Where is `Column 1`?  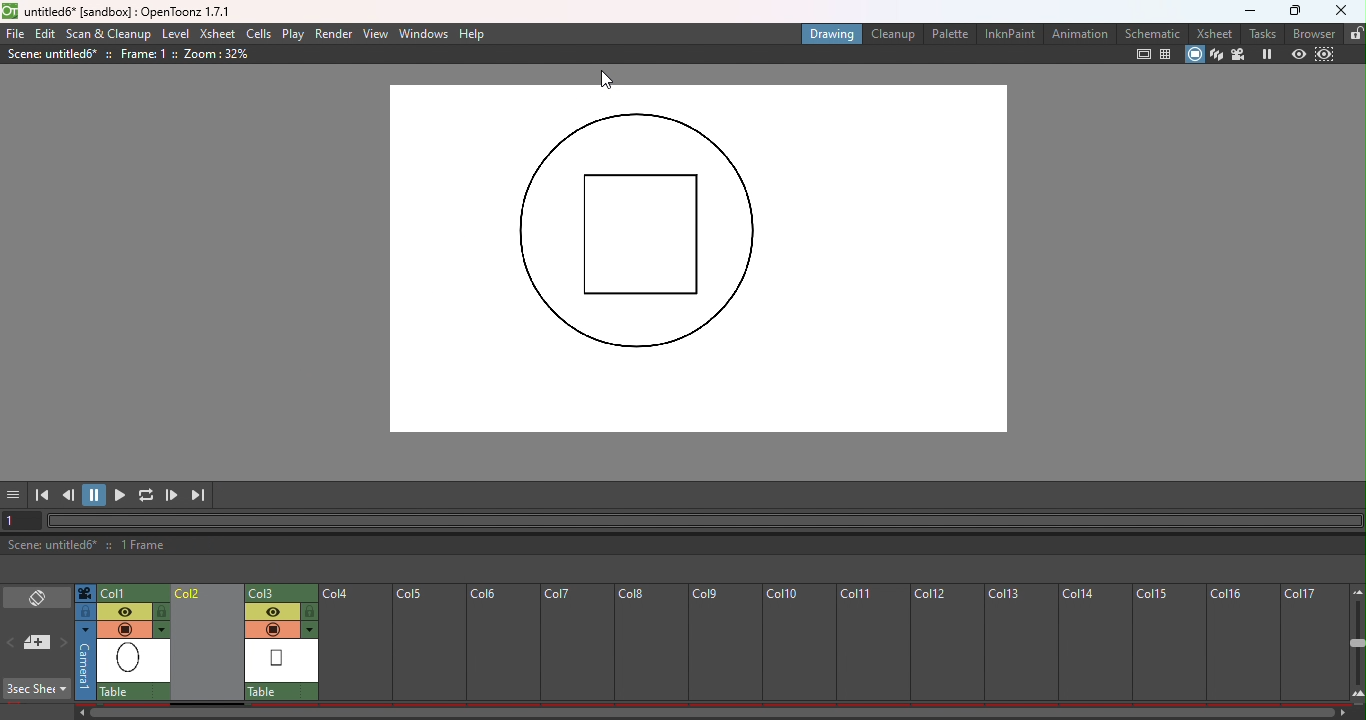 Column 1 is located at coordinates (131, 592).